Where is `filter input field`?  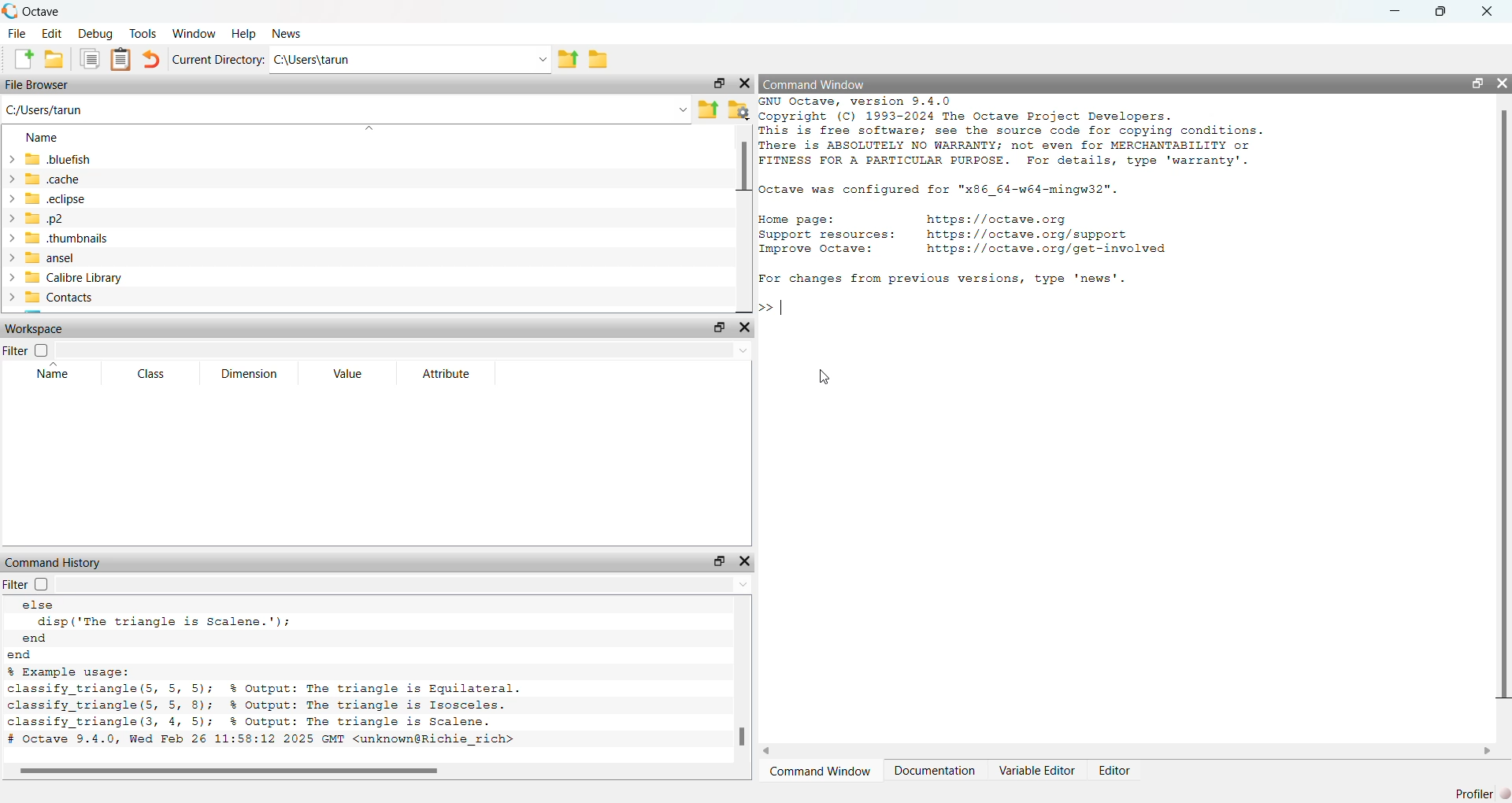 filter input field is located at coordinates (411, 585).